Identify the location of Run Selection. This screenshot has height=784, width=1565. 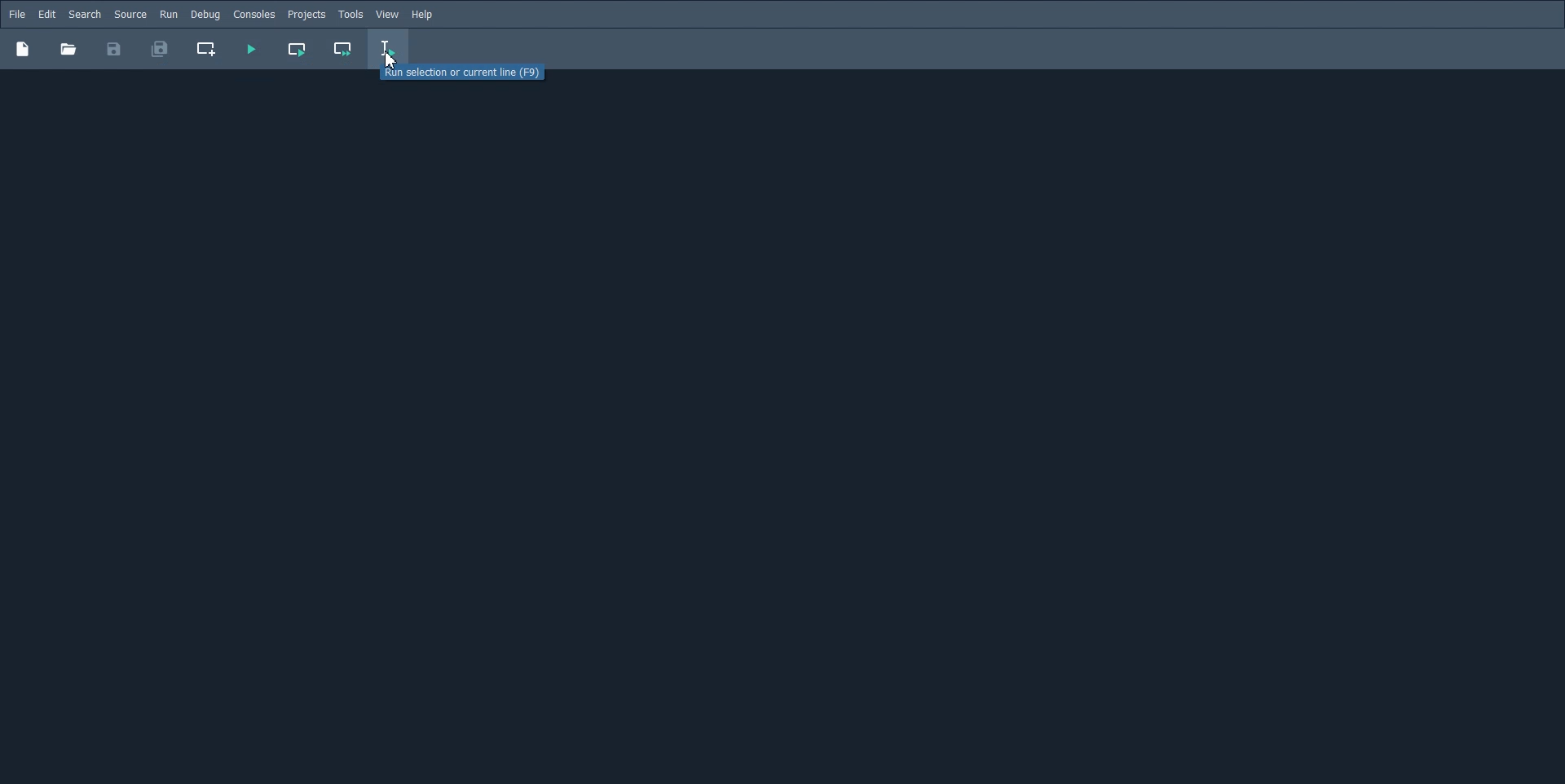
(390, 51).